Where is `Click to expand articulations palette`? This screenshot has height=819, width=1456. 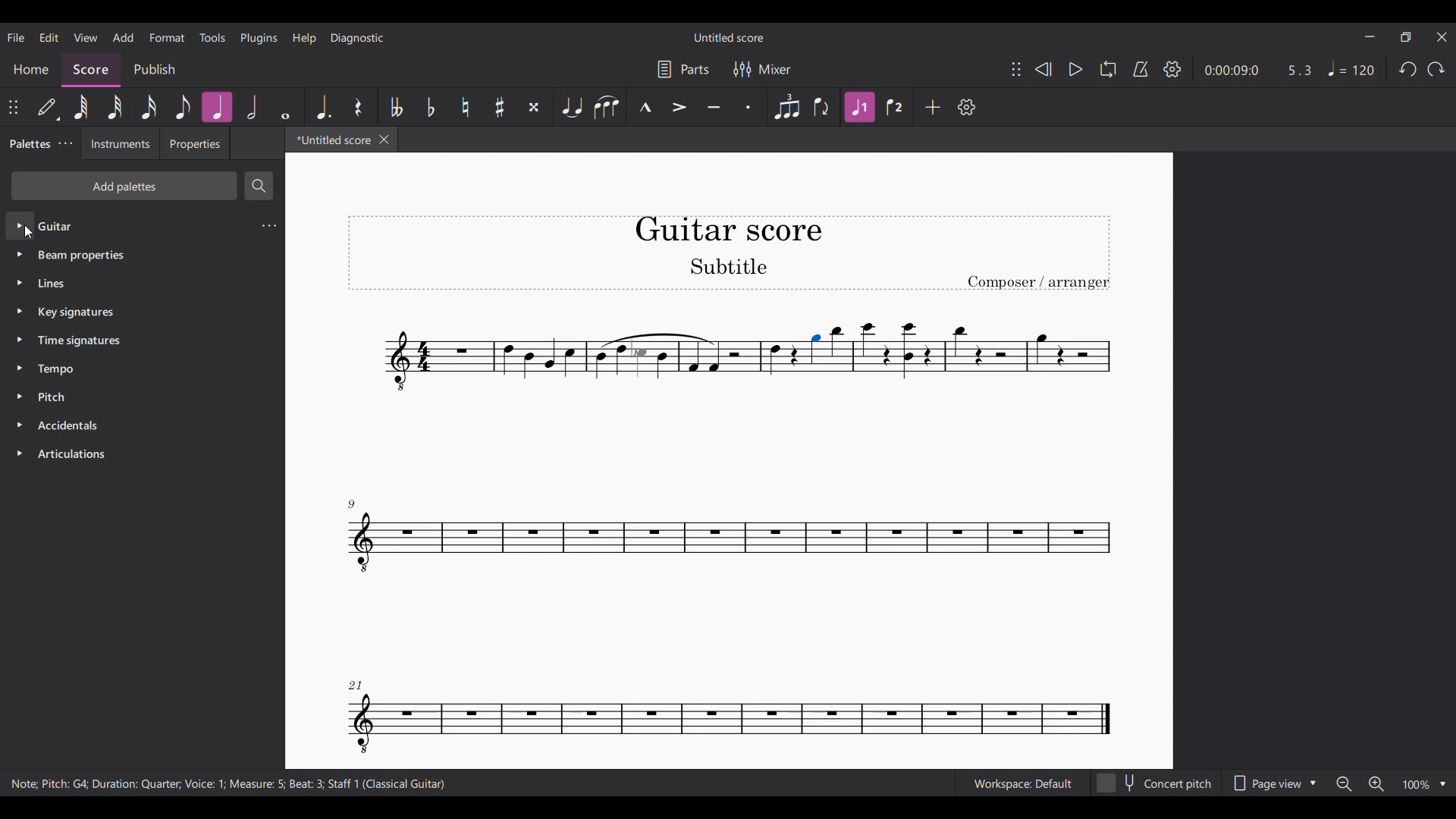 Click to expand articulations palette is located at coordinates (19, 453).